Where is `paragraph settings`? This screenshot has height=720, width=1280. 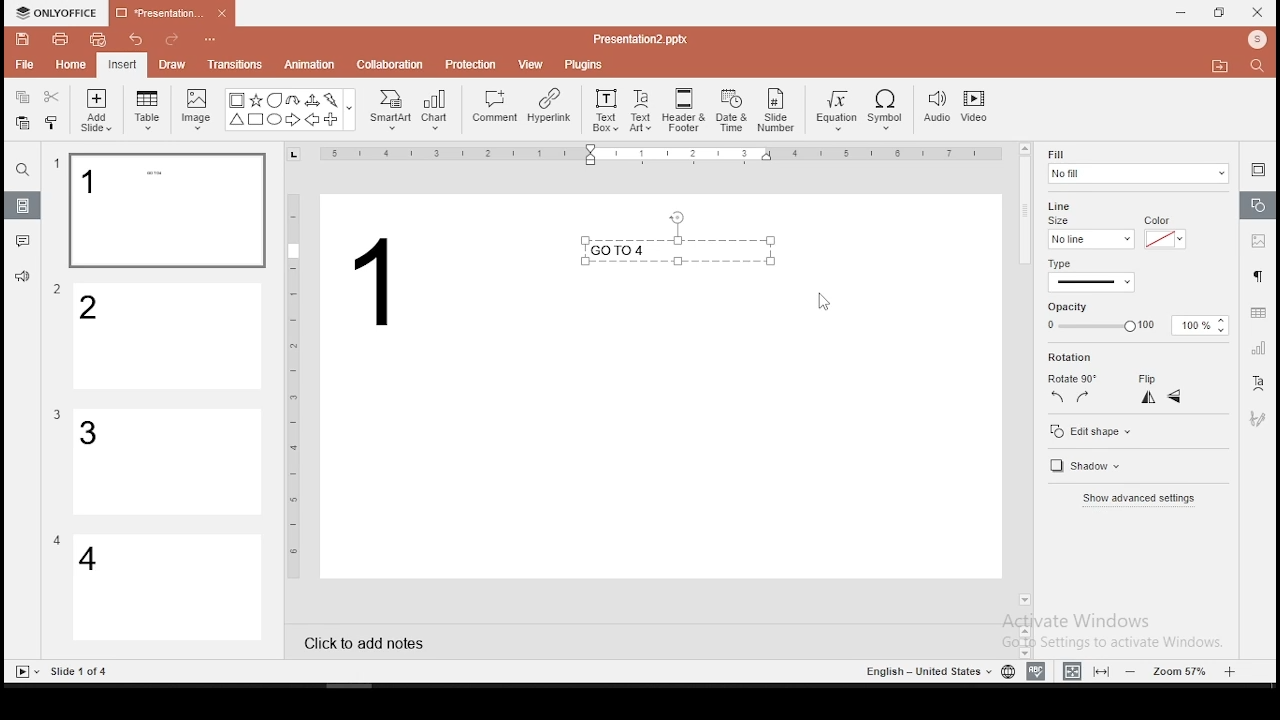
paragraph settings is located at coordinates (1256, 274).